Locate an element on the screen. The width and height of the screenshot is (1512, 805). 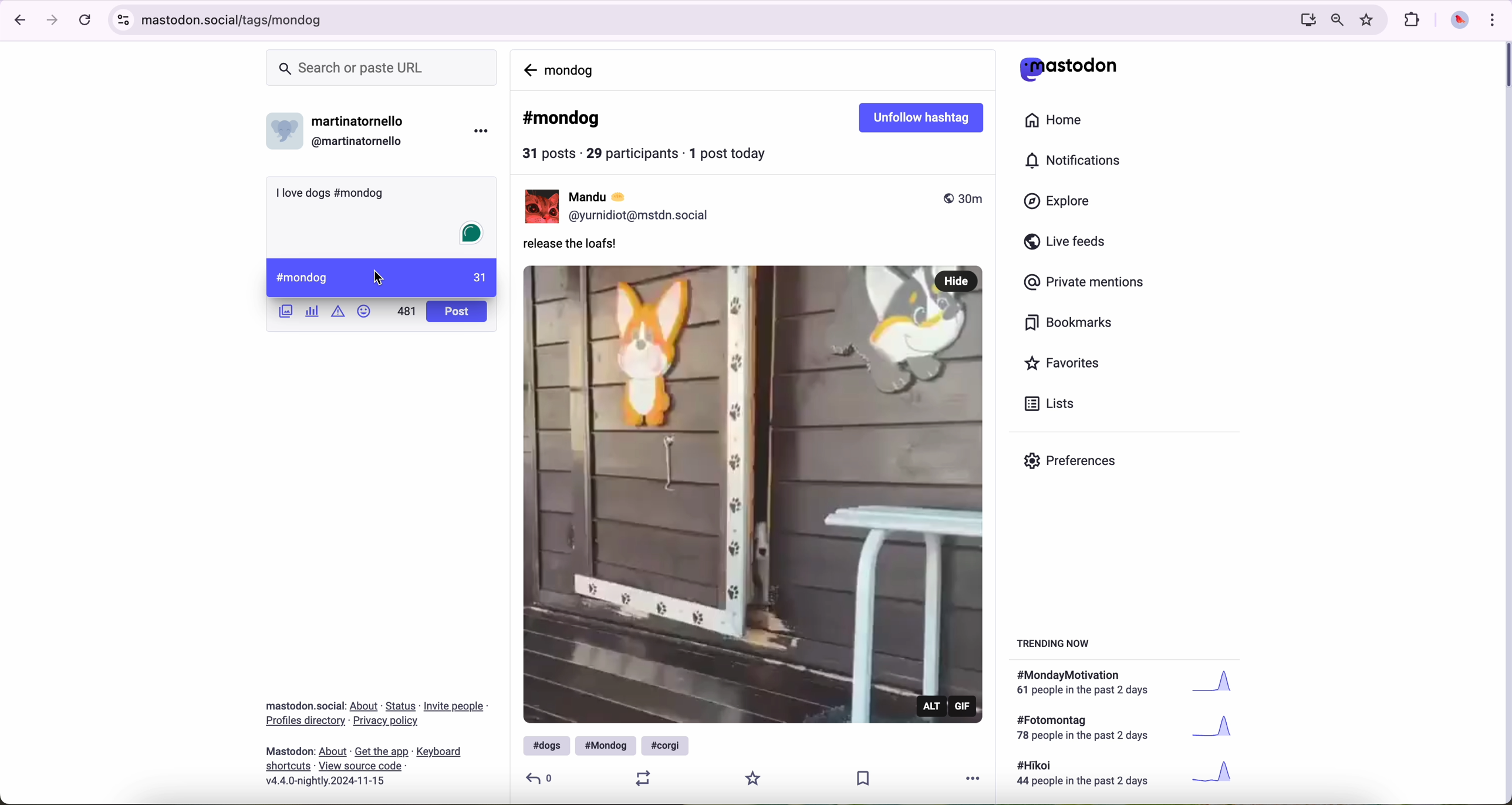
cursor on #mondog hashtag is located at coordinates (382, 278).